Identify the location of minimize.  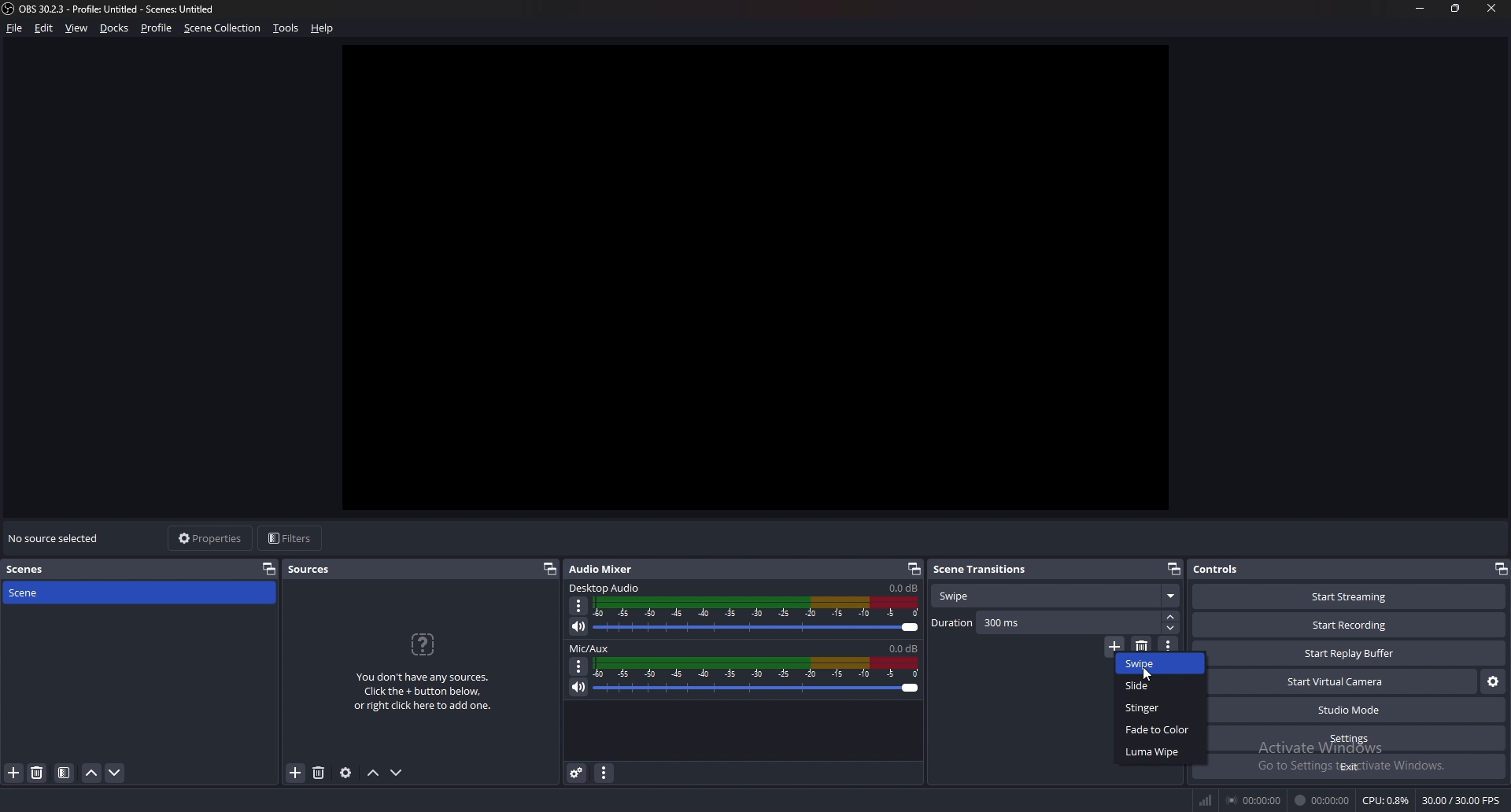
(1420, 9).